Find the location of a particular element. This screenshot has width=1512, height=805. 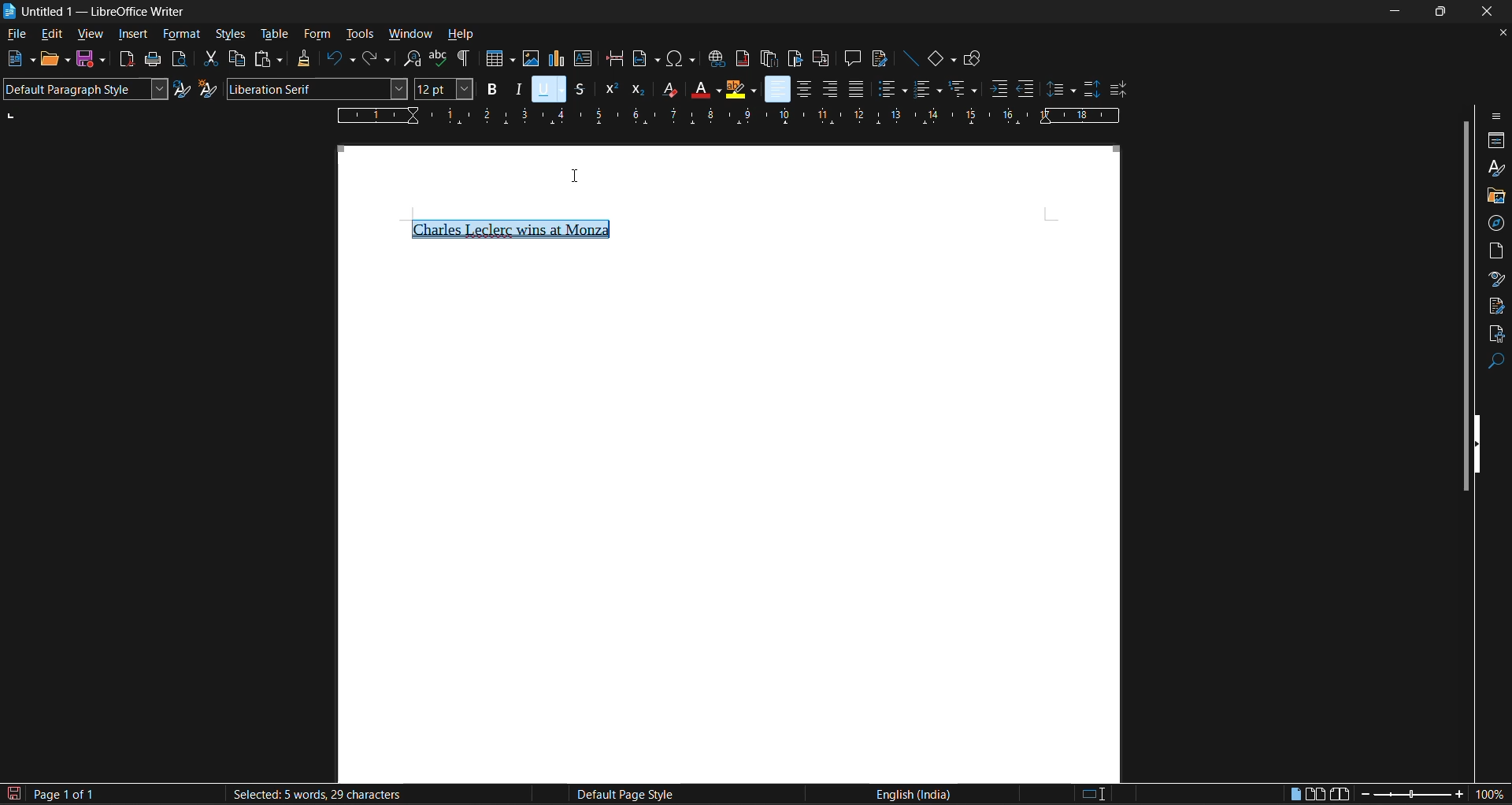

page number in document is located at coordinates (66, 794).